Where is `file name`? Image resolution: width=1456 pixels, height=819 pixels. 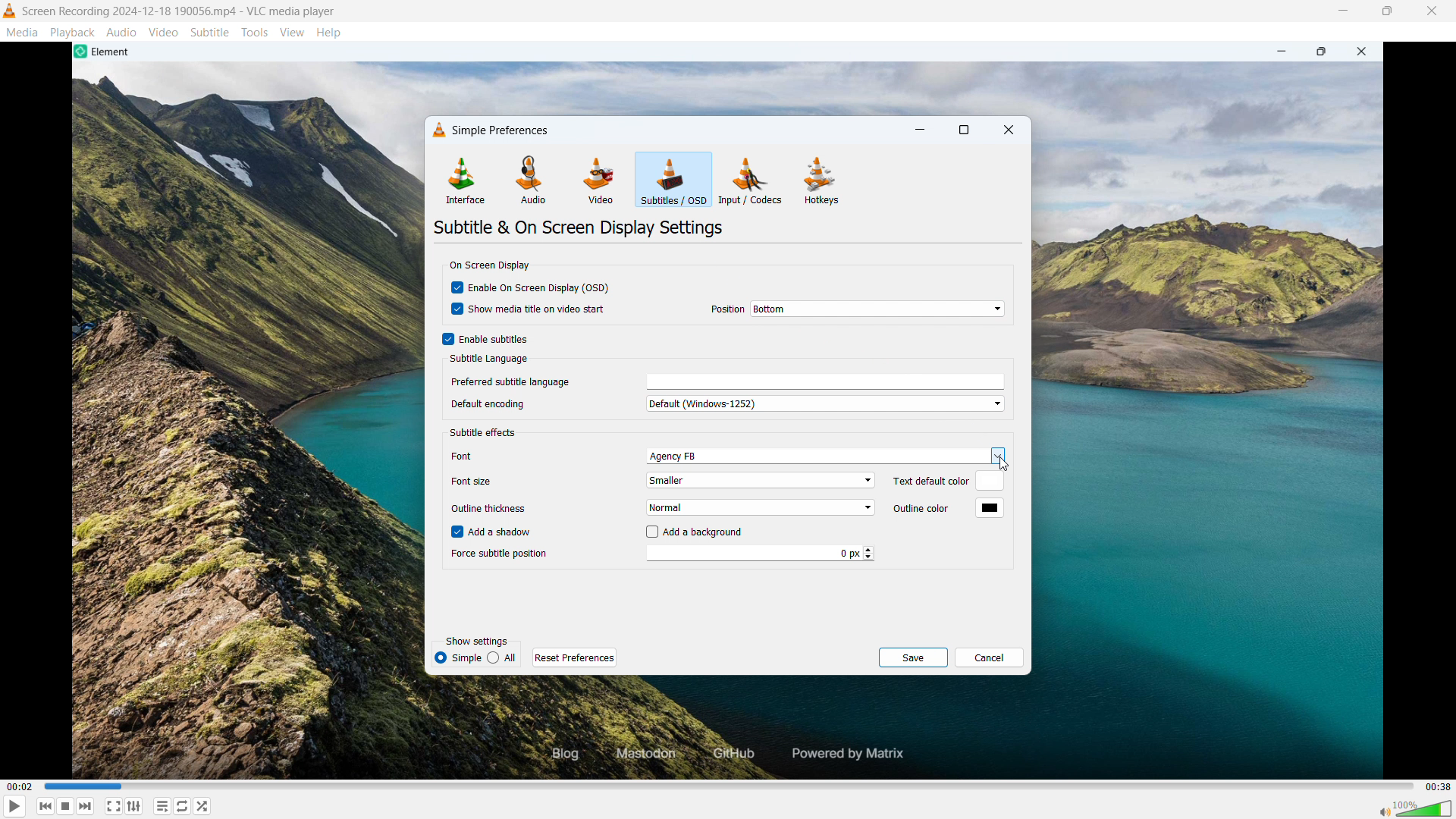
file name is located at coordinates (179, 12).